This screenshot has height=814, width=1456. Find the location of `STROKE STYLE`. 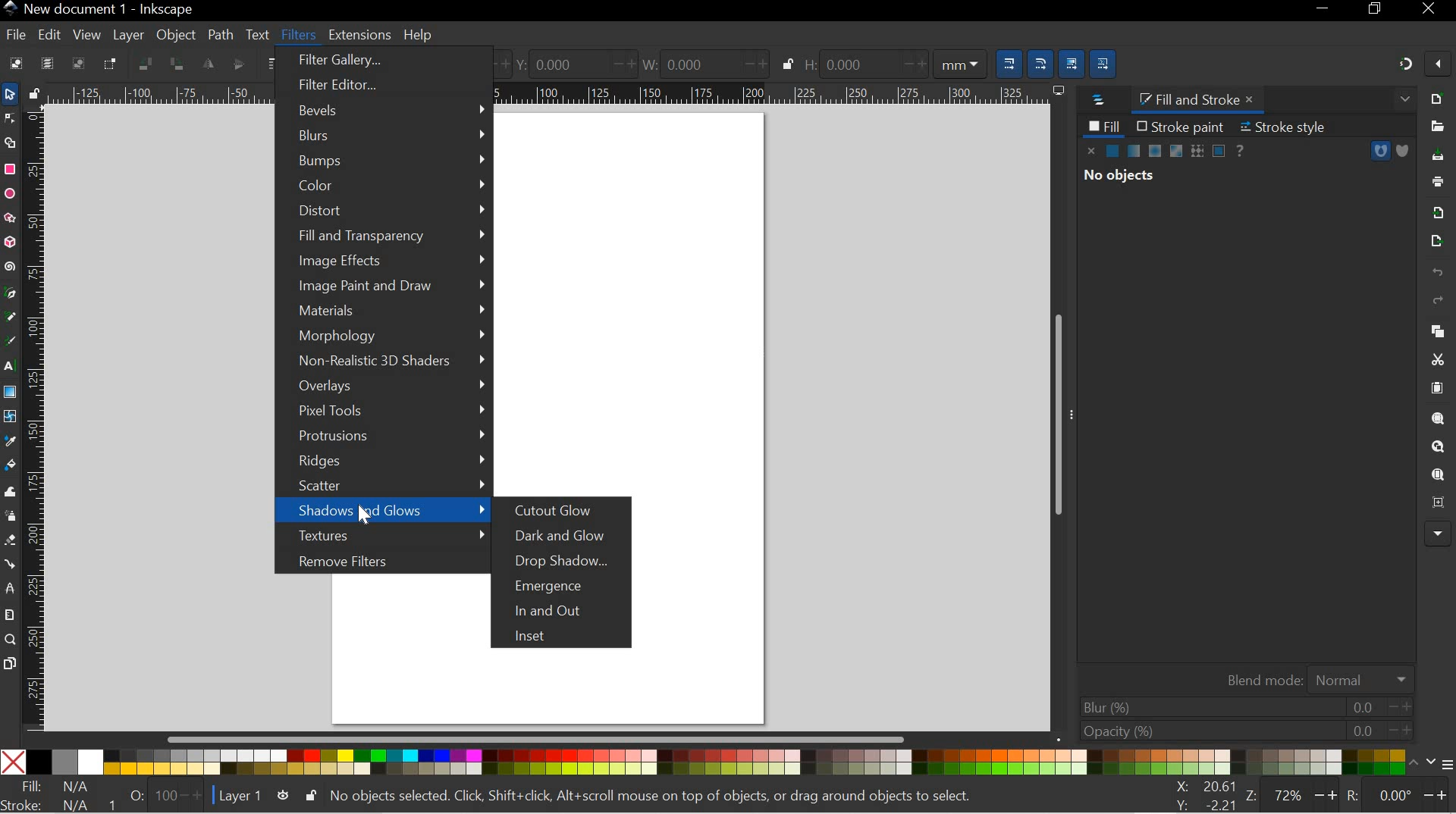

STROKE STYLE is located at coordinates (1289, 127).